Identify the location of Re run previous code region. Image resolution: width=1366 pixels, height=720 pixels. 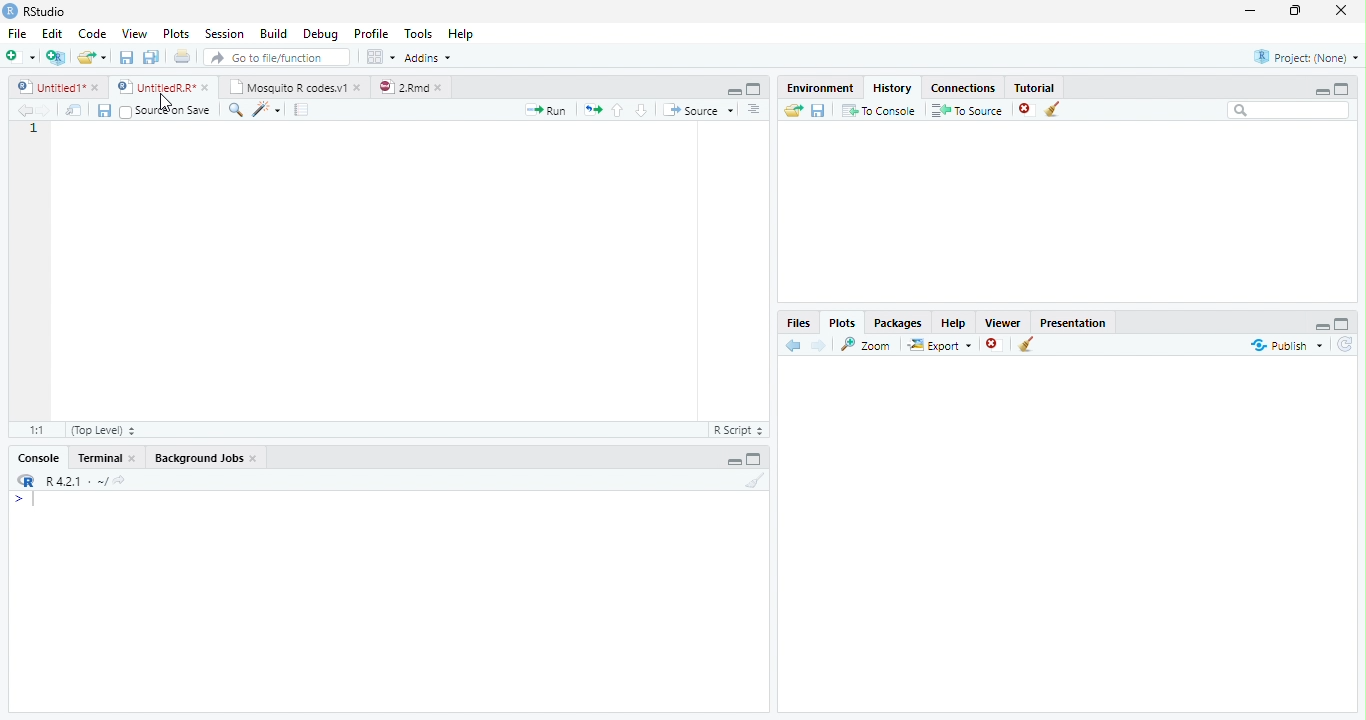
(591, 111).